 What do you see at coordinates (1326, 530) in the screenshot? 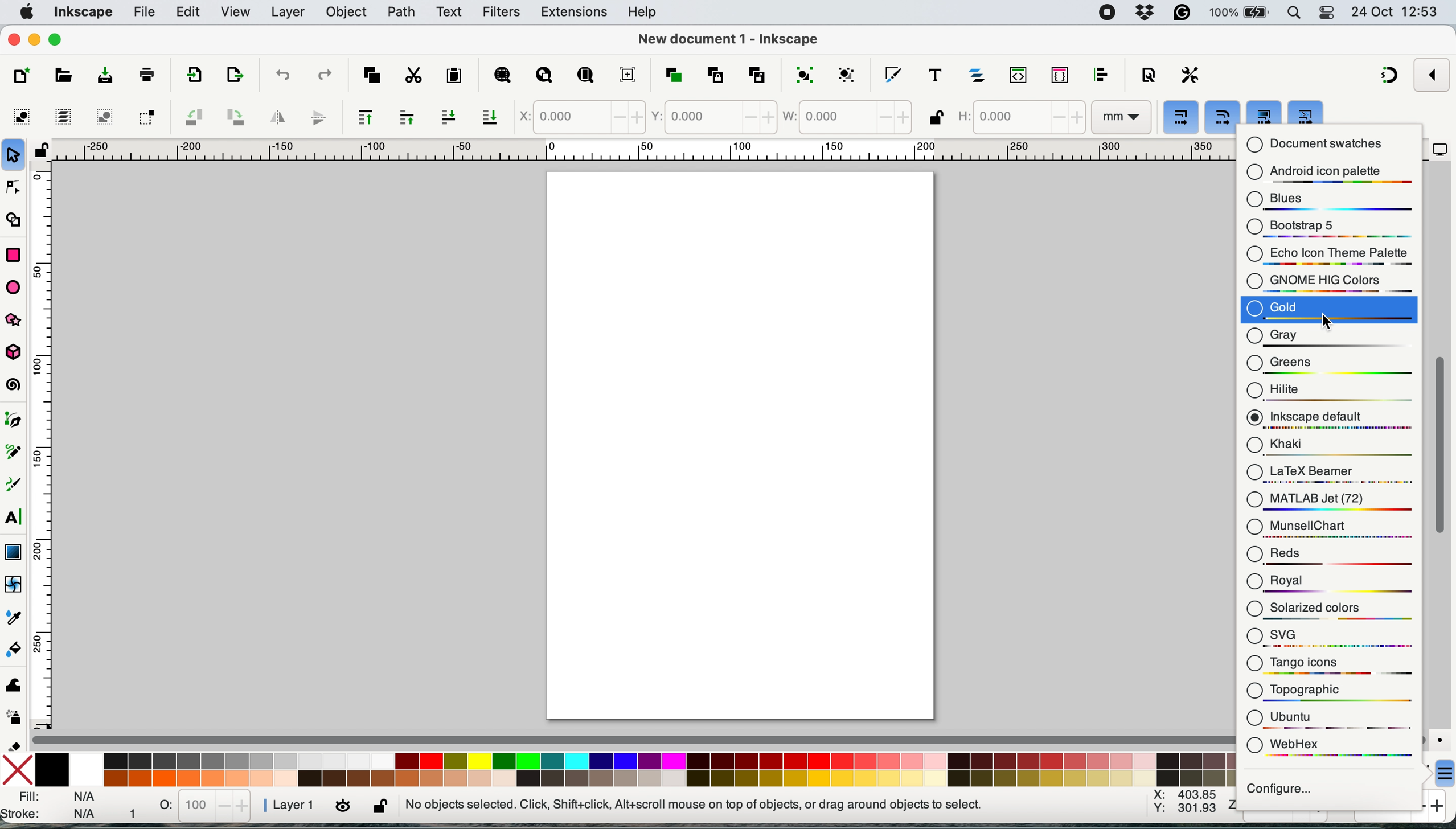
I see `munsell chart` at bounding box center [1326, 530].